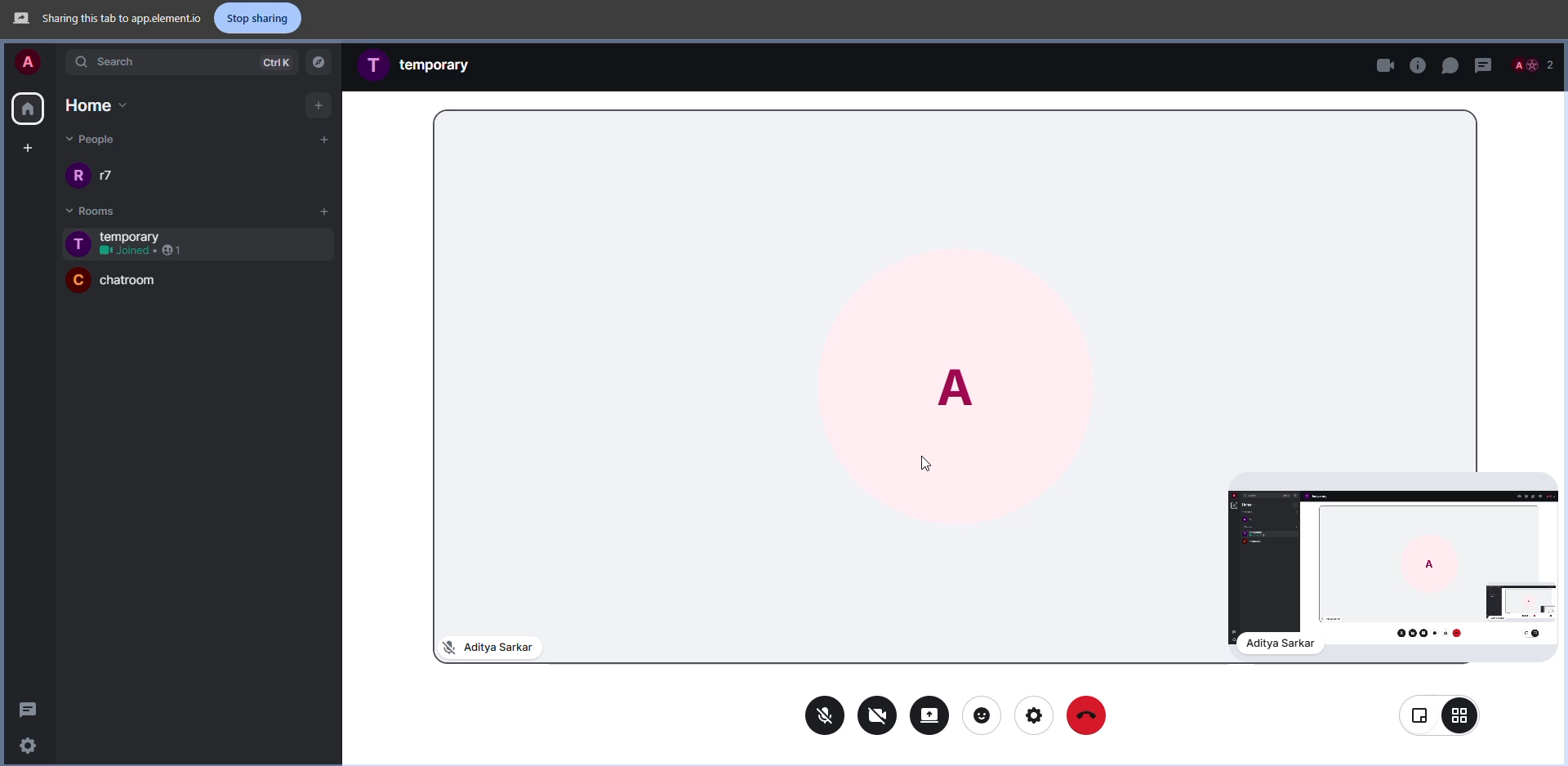 This screenshot has height=766, width=1568. What do you see at coordinates (1441, 715) in the screenshot?
I see `view change` at bounding box center [1441, 715].